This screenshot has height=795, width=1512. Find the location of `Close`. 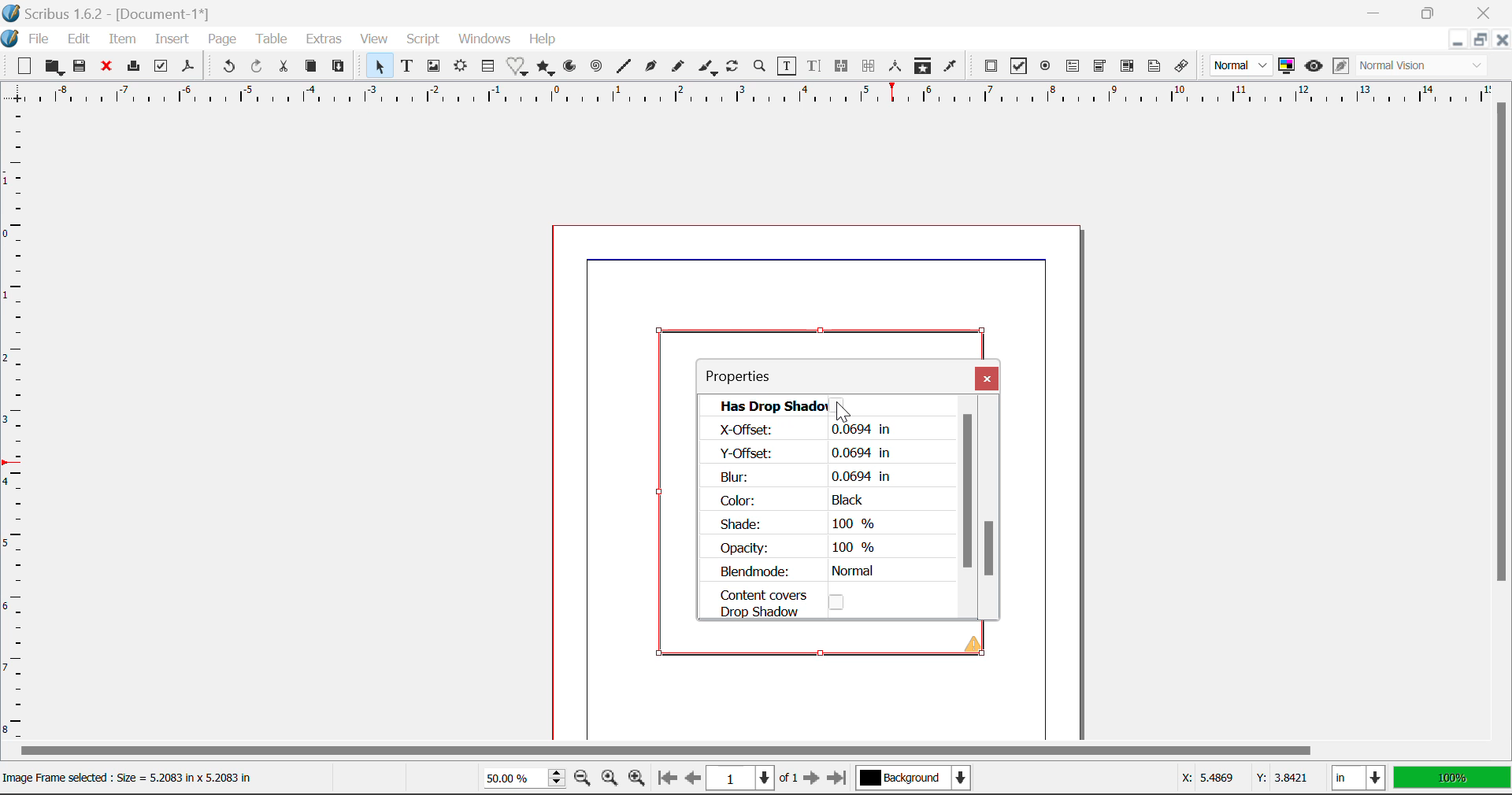

Close is located at coordinates (988, 380).